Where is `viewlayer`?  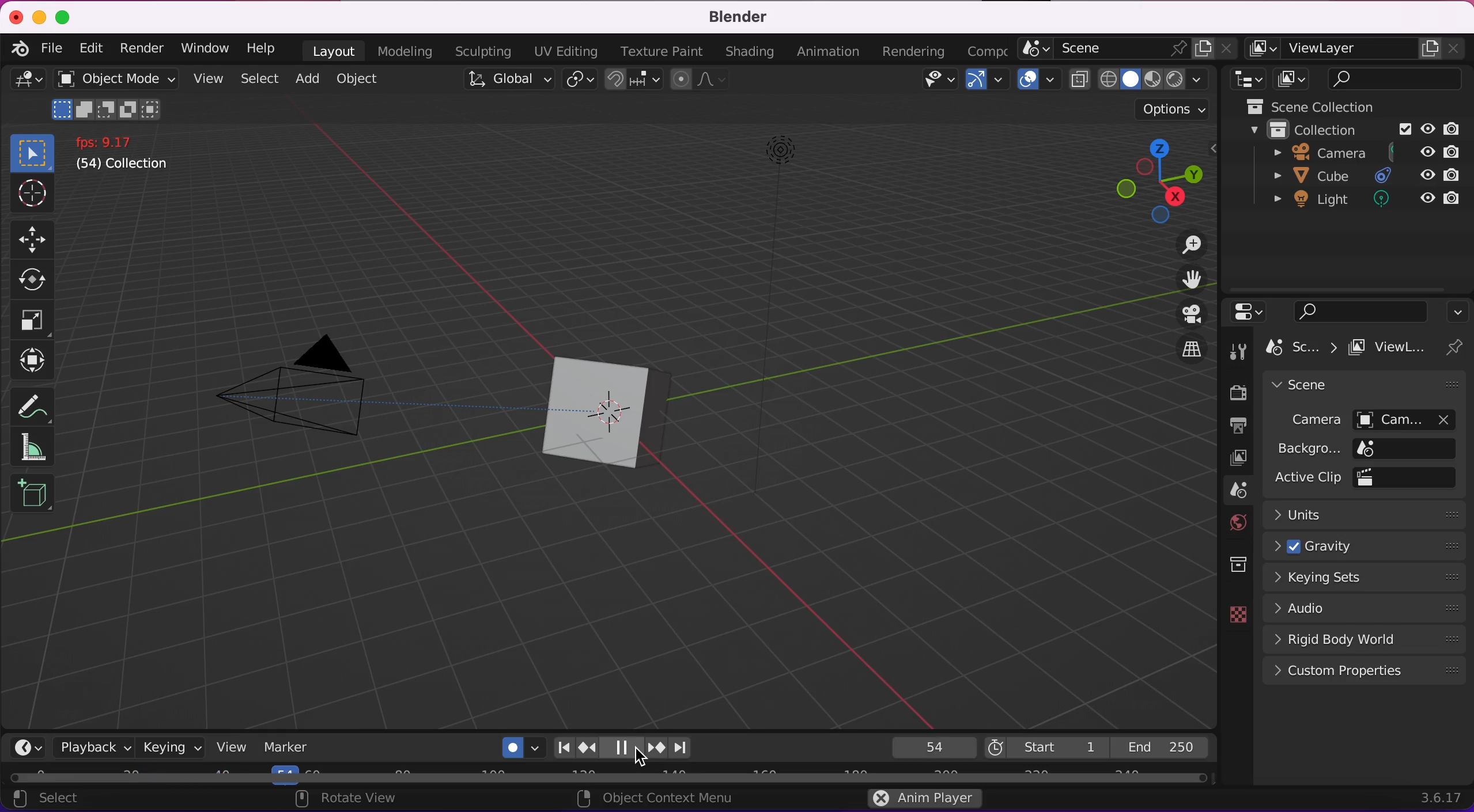 viewlayer is located at coordinates (1388, 351).